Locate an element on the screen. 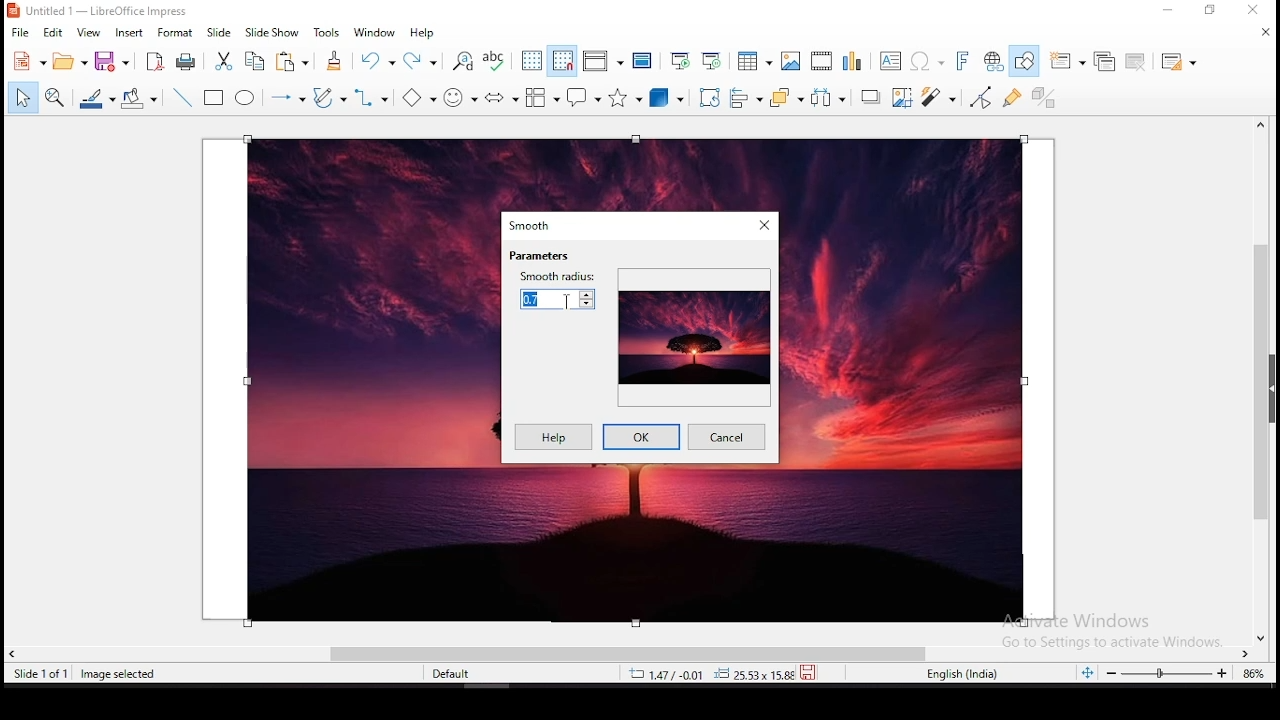 The height and width of the screenshot is (720, 1280). insert fontwork text is located at coordinates (964, 60).